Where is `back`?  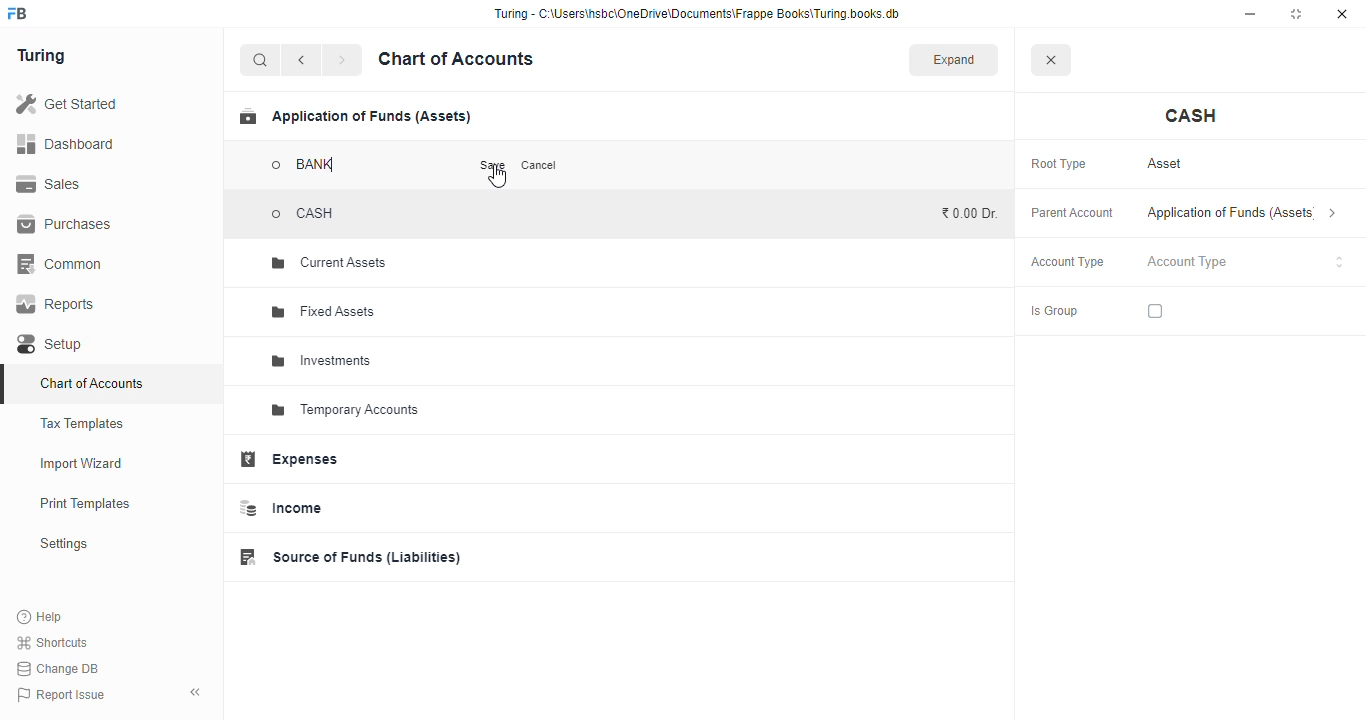
back is located at coordinates (301, 60).